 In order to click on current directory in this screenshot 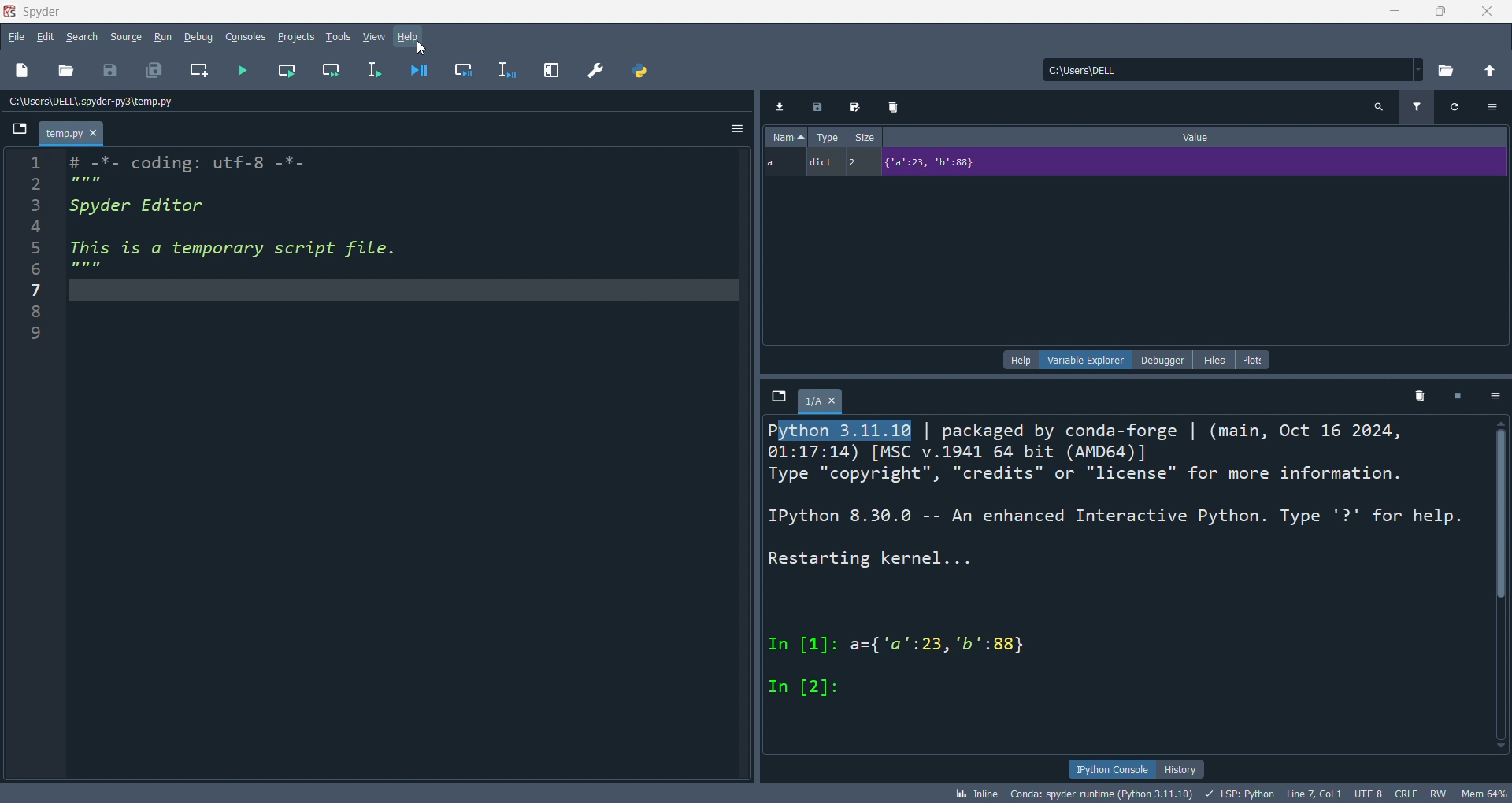, I will do `click(1234, 69)`.